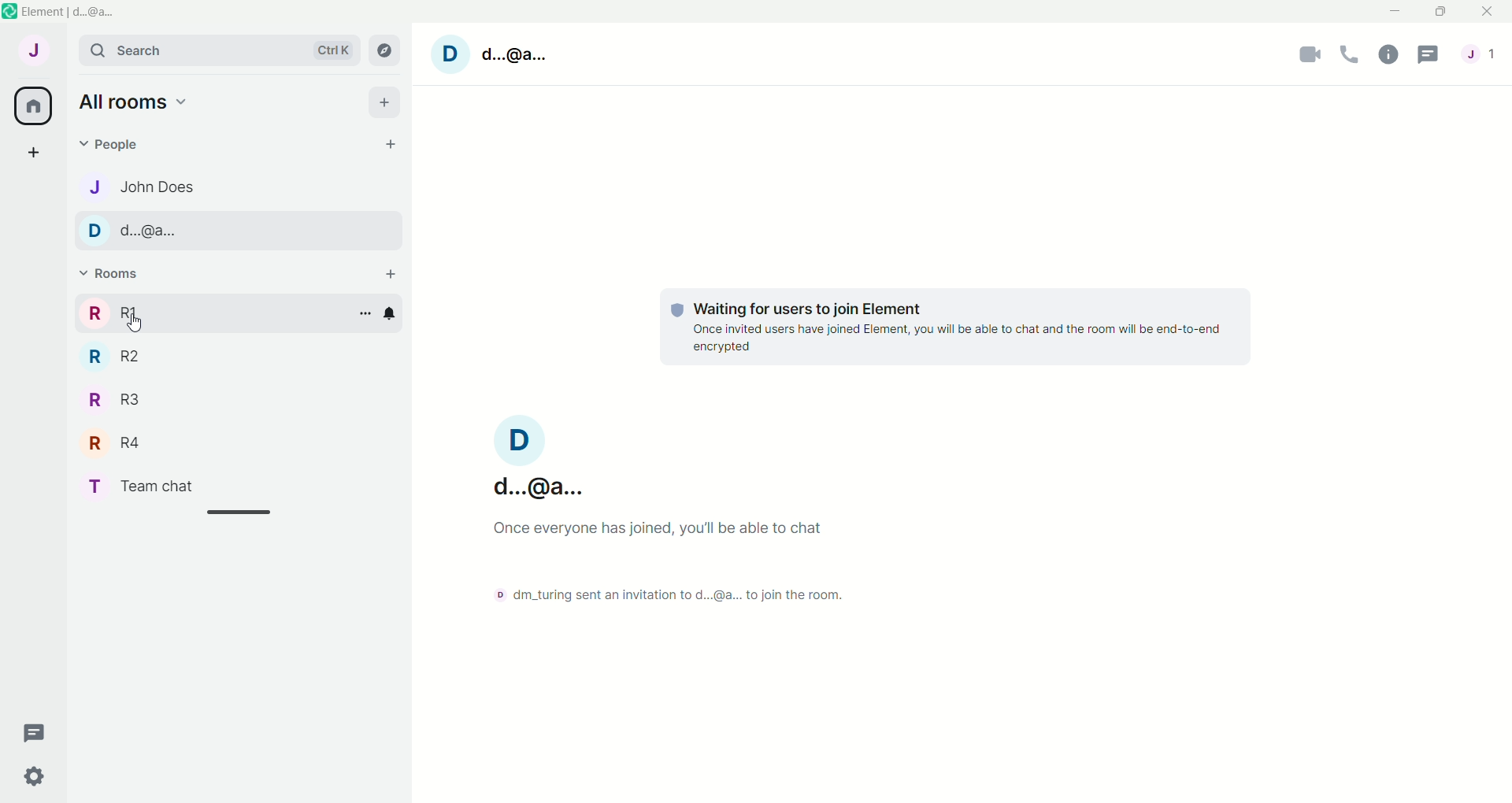 This screenshot has width=1512, height=803. I want to click on start chat, so click(385, 142).